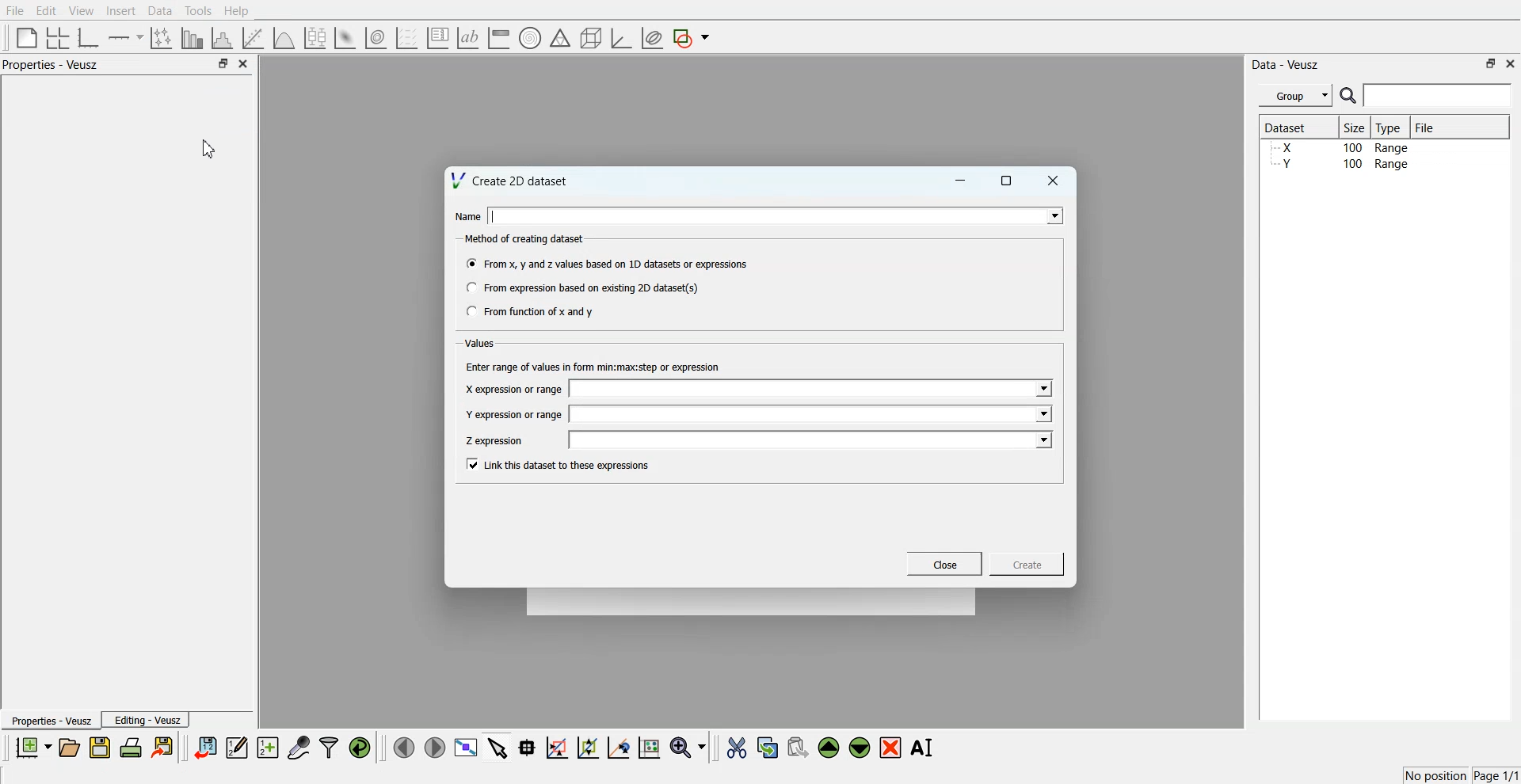 The height and width of the screenshot is (784, 1521). Describe the element at coordinates (468, 38) in the screenshot. I see `Text label` at that location.